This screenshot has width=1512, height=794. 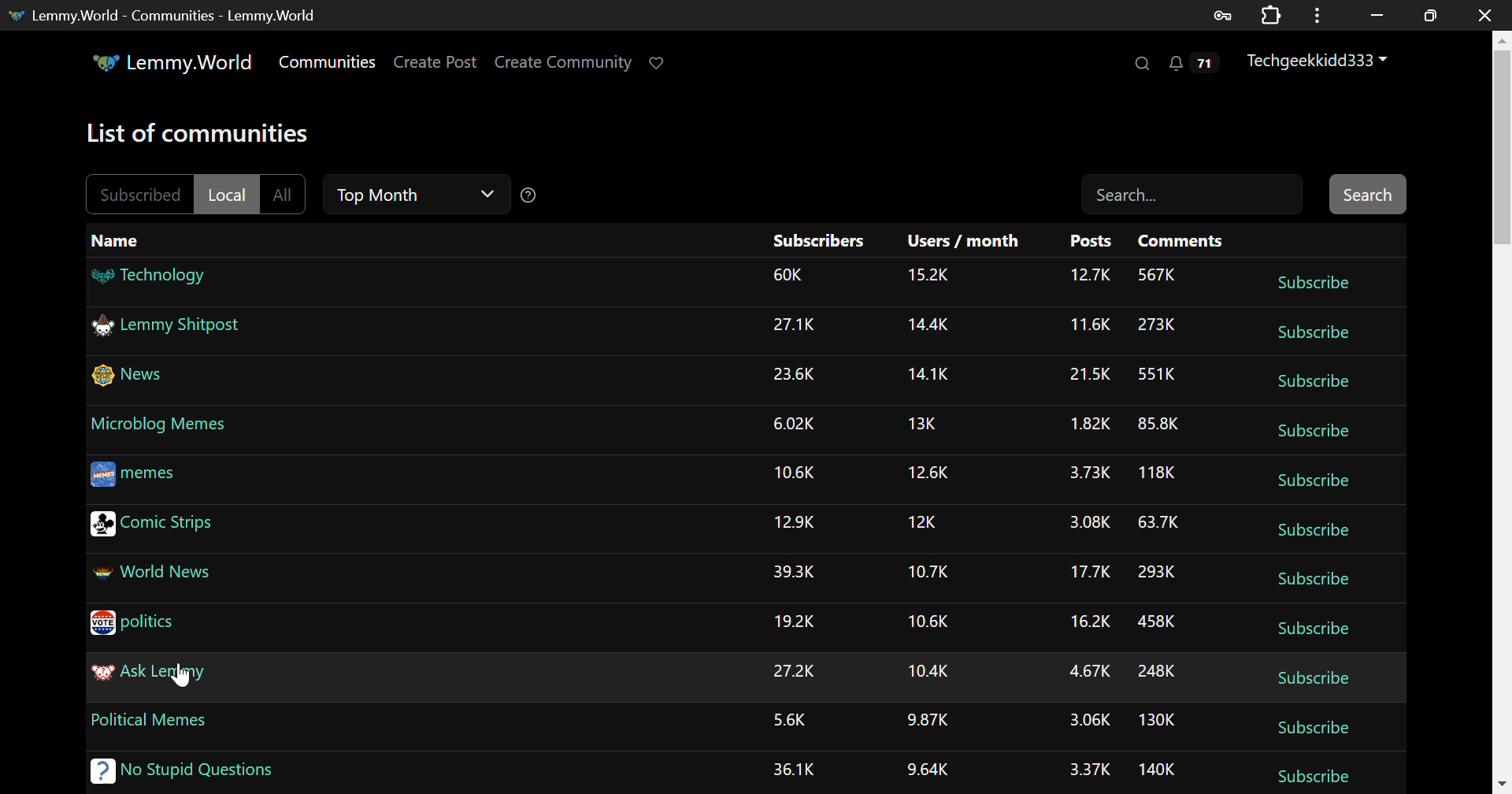 I want to click on Amount, so click(x=1158, y=473).